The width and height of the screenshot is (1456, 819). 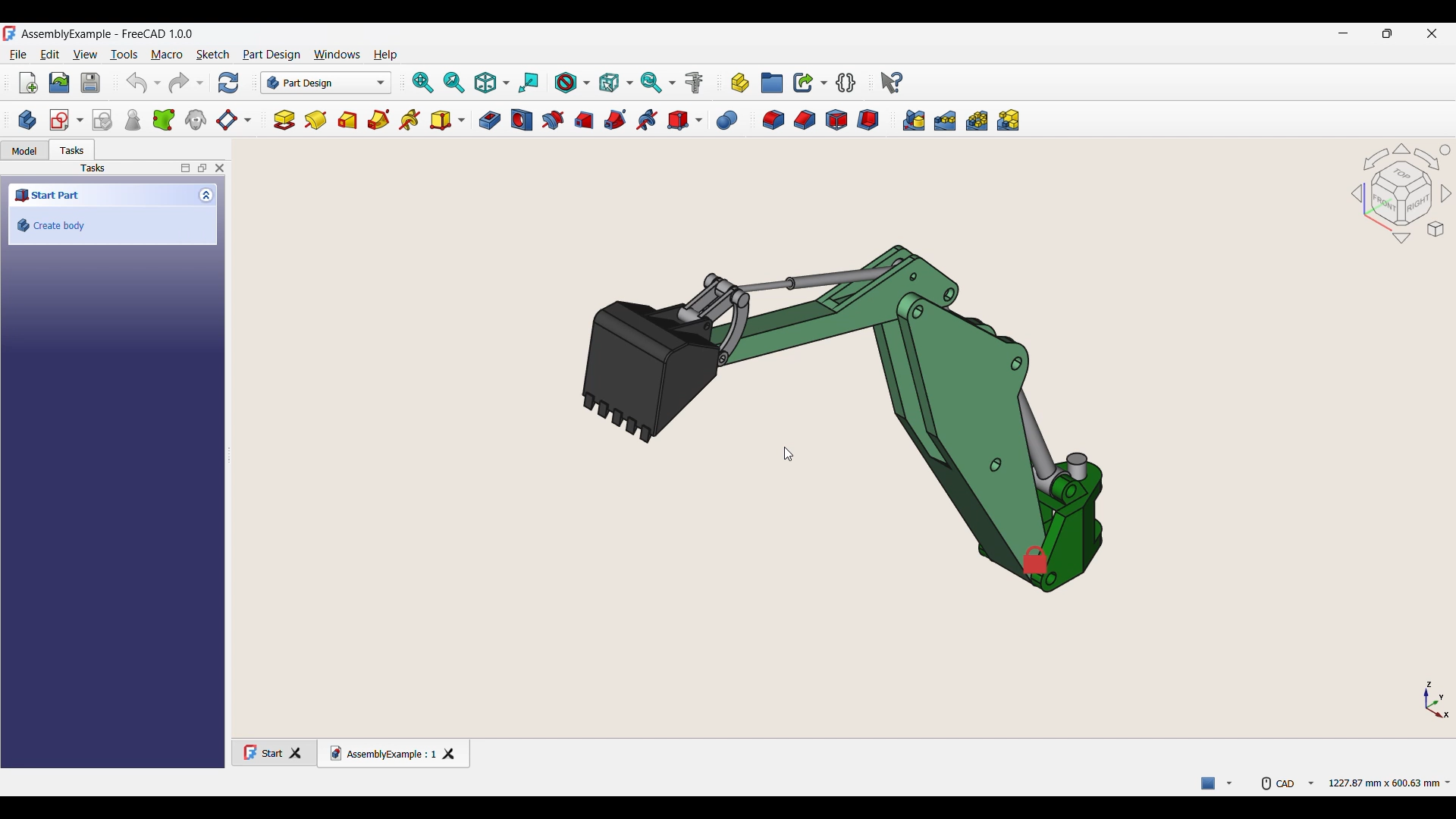 What do you see at coordinates (93, 169) in the screenshot?
I see `Tasks - pane title ` at bounding box center [93, 169].